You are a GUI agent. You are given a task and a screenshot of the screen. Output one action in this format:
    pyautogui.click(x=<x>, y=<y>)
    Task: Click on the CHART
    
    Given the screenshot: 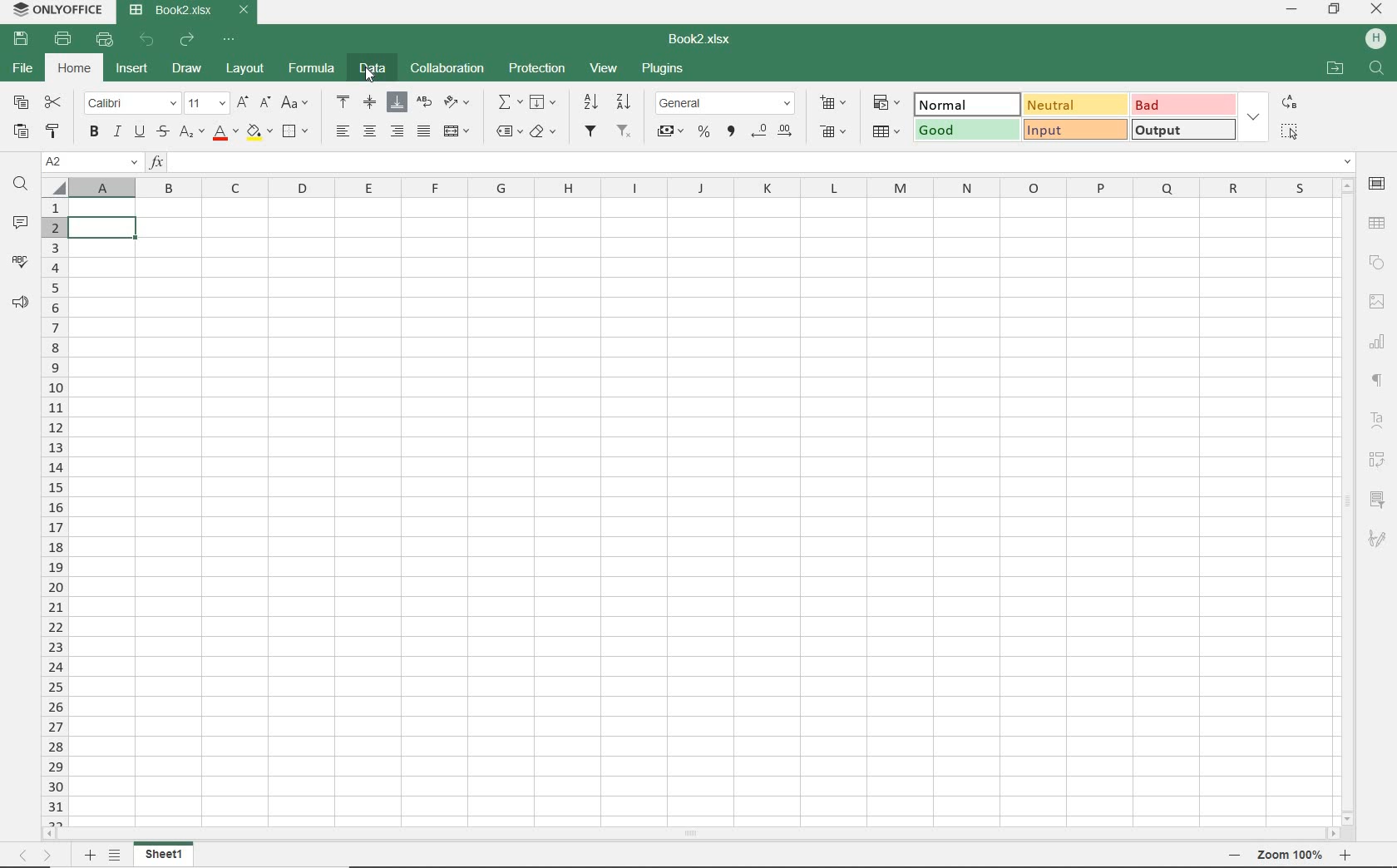 What is the action you would take?
    pyautogui.click(x=1378, y=345)
    